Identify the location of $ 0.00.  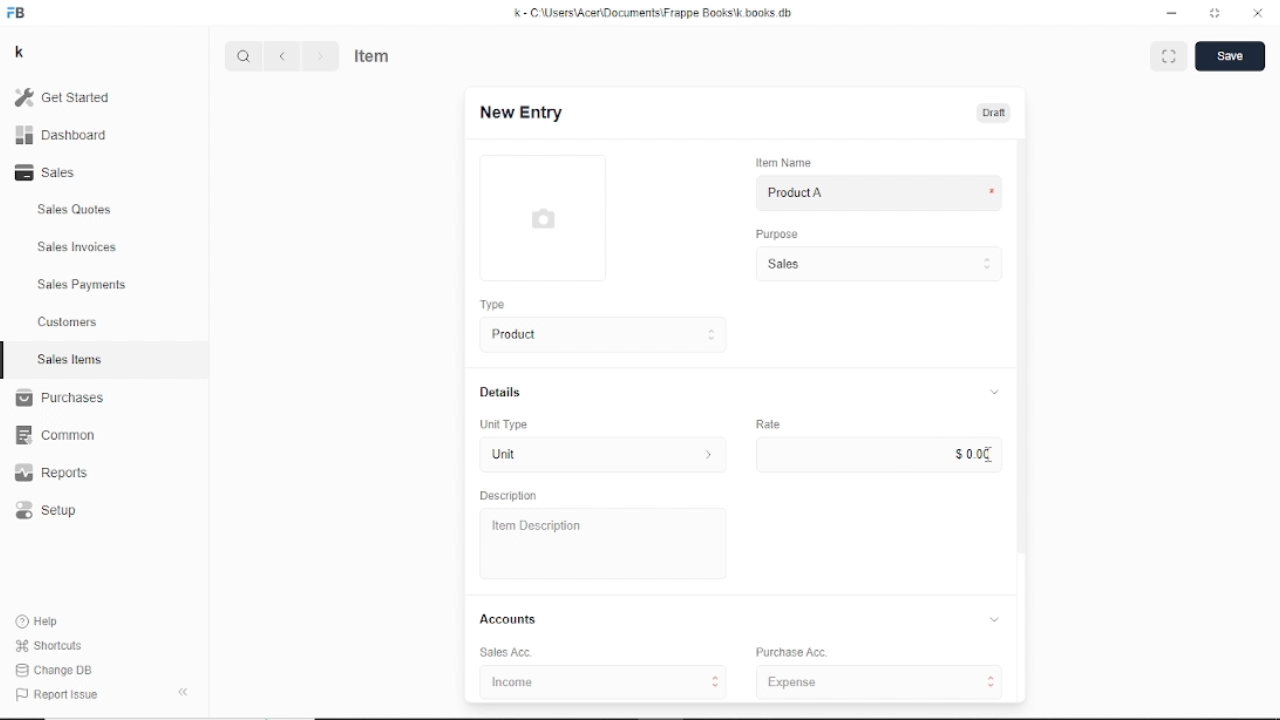
(972, 454).